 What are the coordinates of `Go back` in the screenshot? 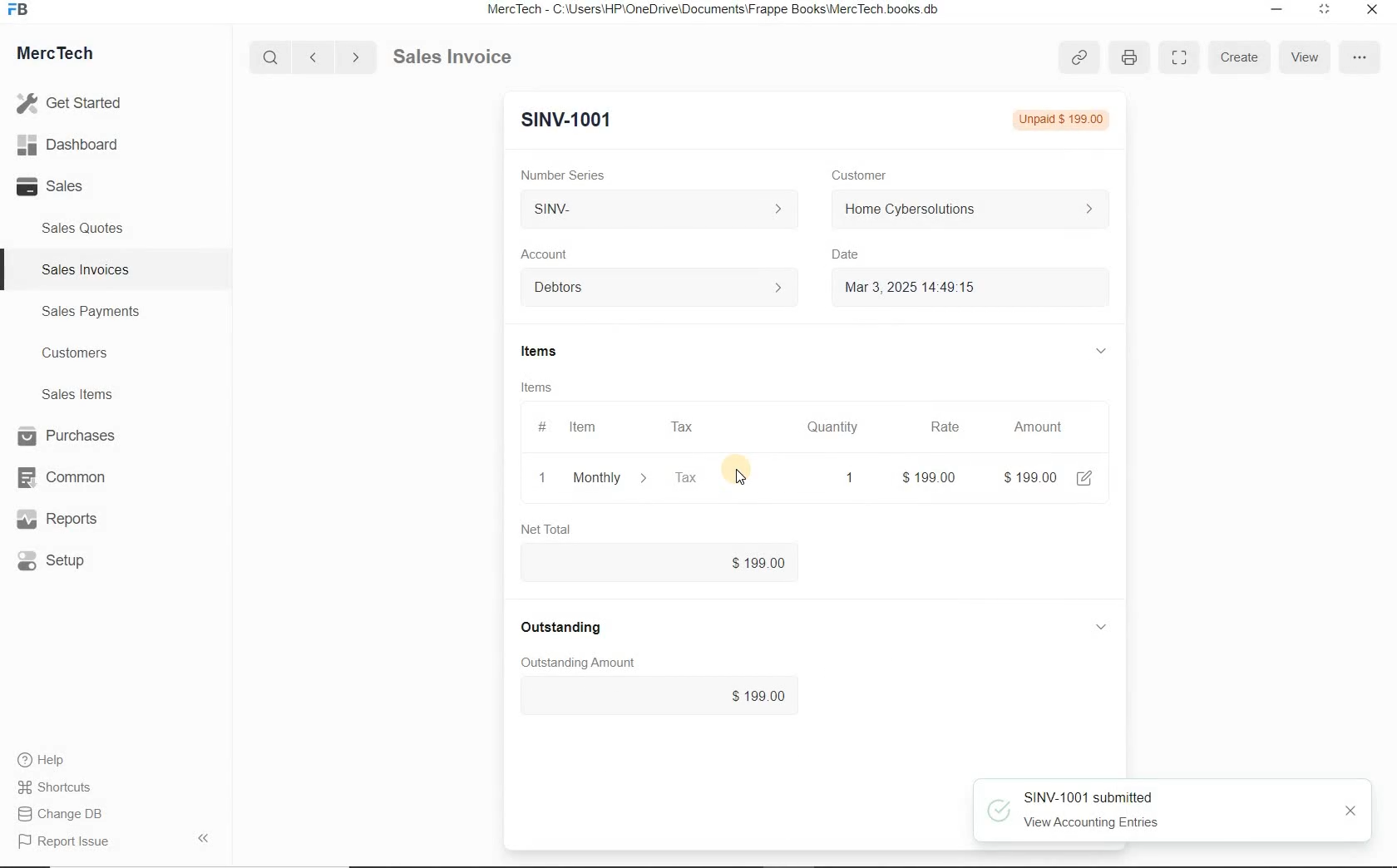 It's located at (315, 57).